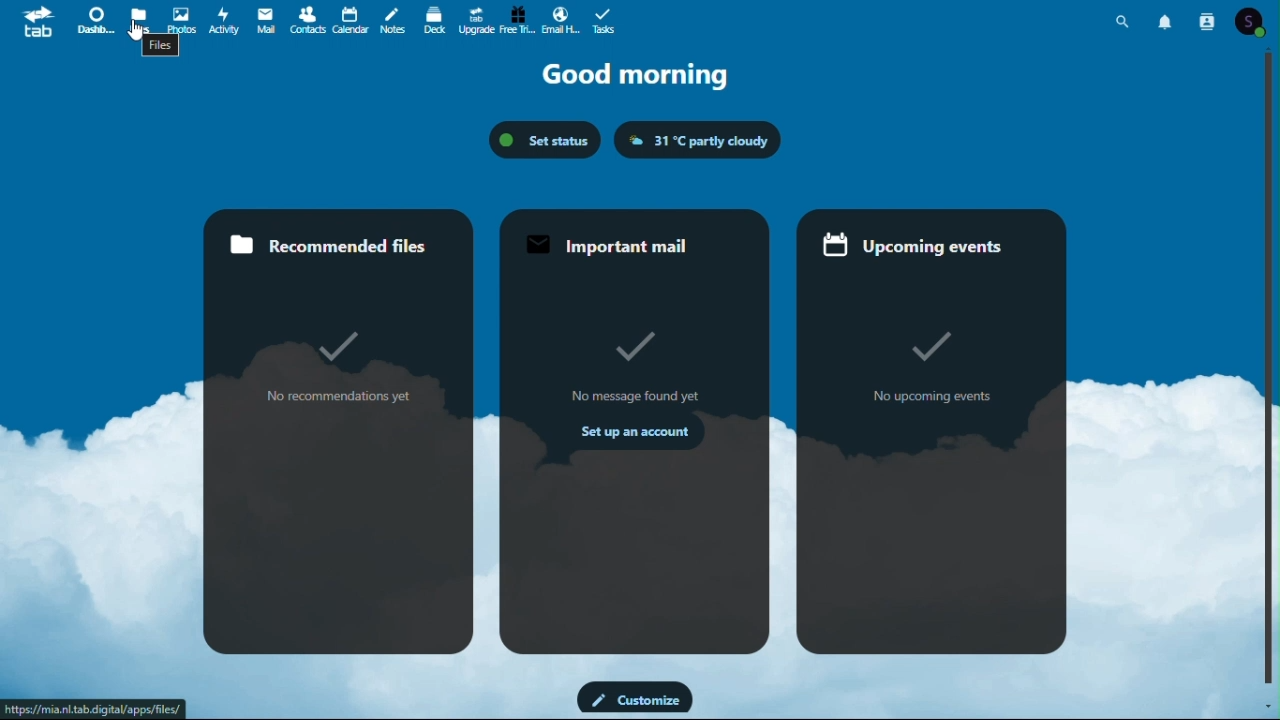  What do you see at coordinates (179, 17) in the screenshot?
I see `photos` at bounding box center [179, 17].